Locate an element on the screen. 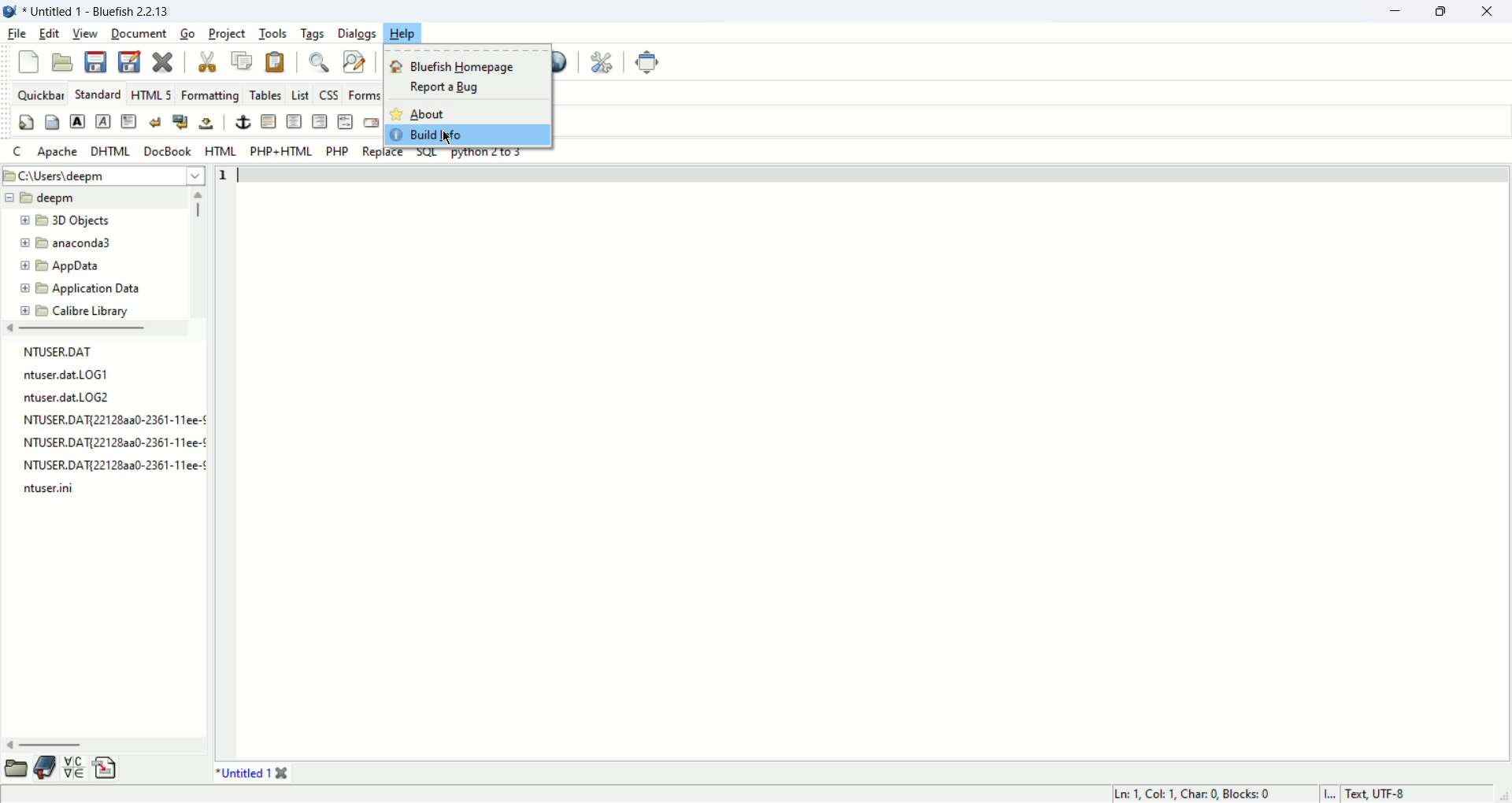 The width and height of the screenshot is (1512, 803). line number is located at coordinates (225, 461).